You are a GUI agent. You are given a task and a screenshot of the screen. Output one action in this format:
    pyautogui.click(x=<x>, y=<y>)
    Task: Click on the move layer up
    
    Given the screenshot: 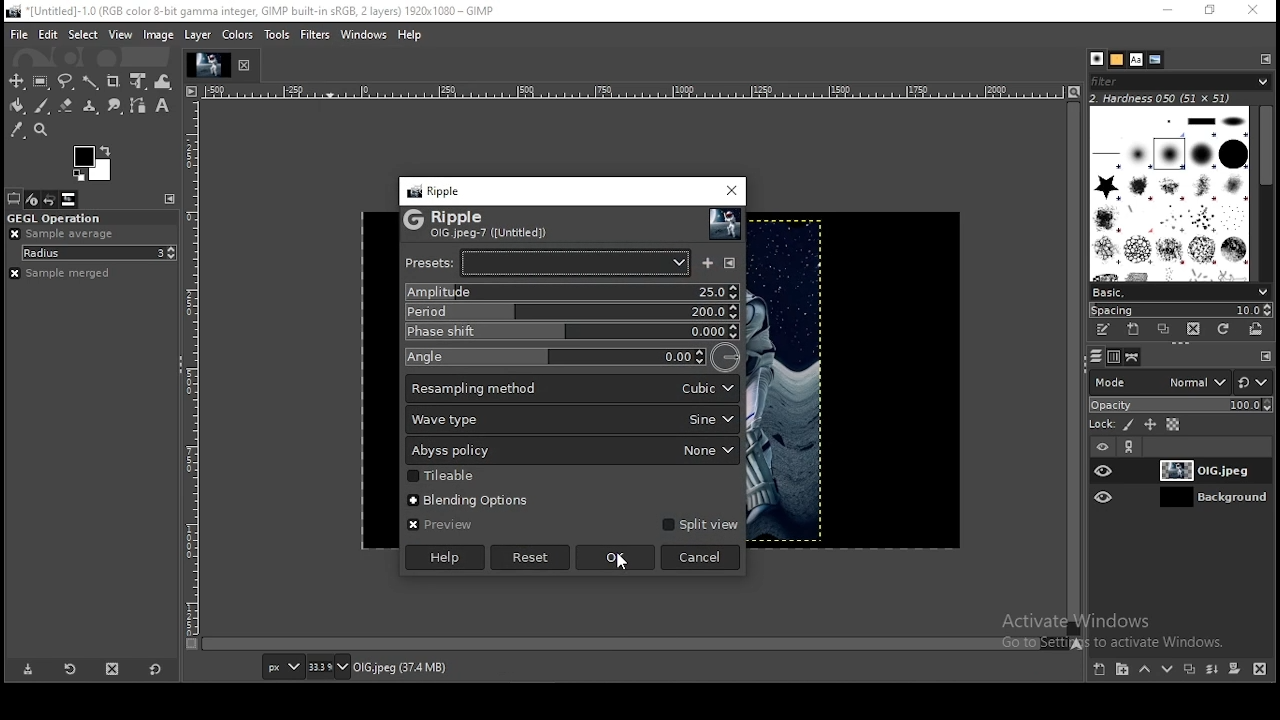 What is the action you would take?
    pyautogui.click(x=1150, y=670)
    